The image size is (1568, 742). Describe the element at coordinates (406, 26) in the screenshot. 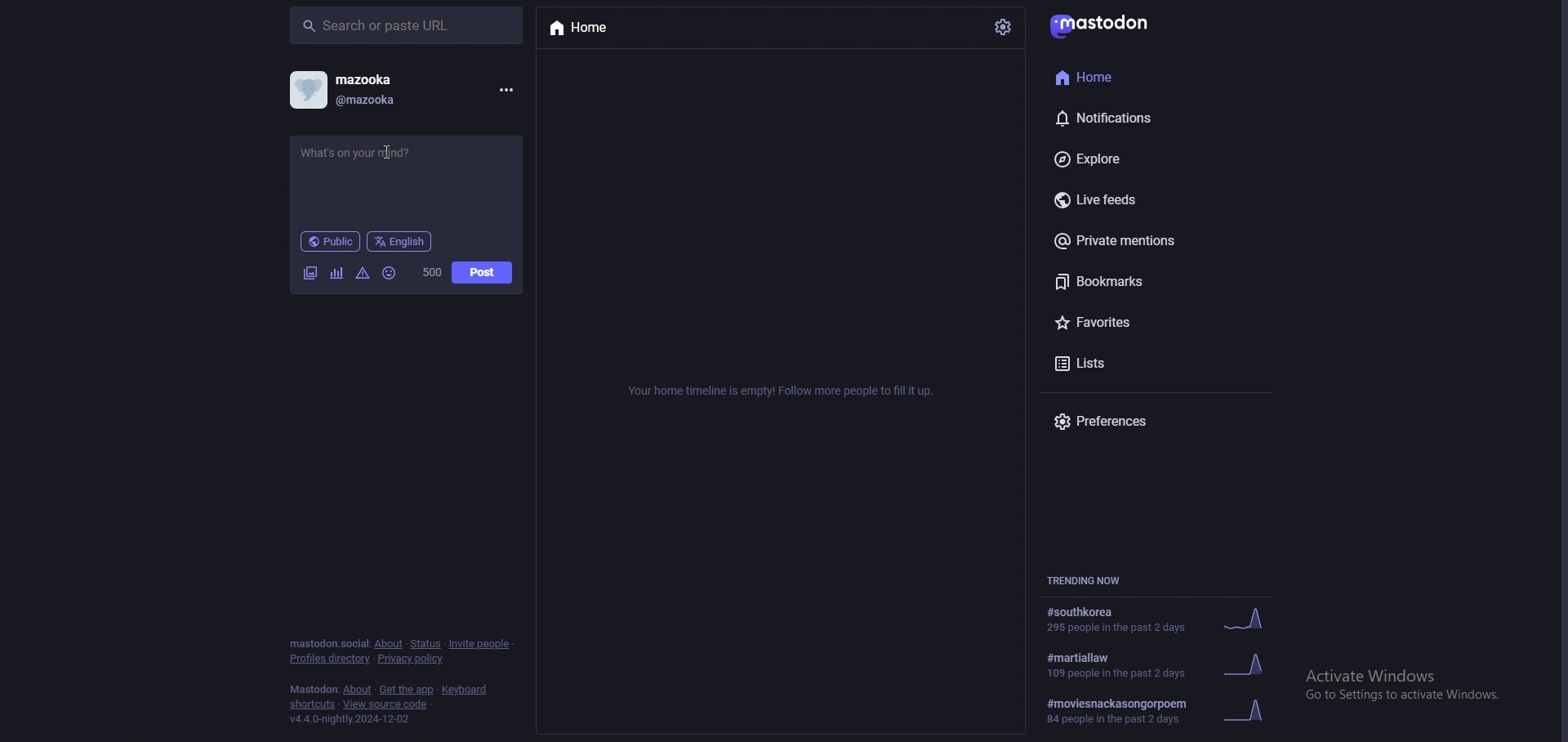

I see `search bar` at that location.